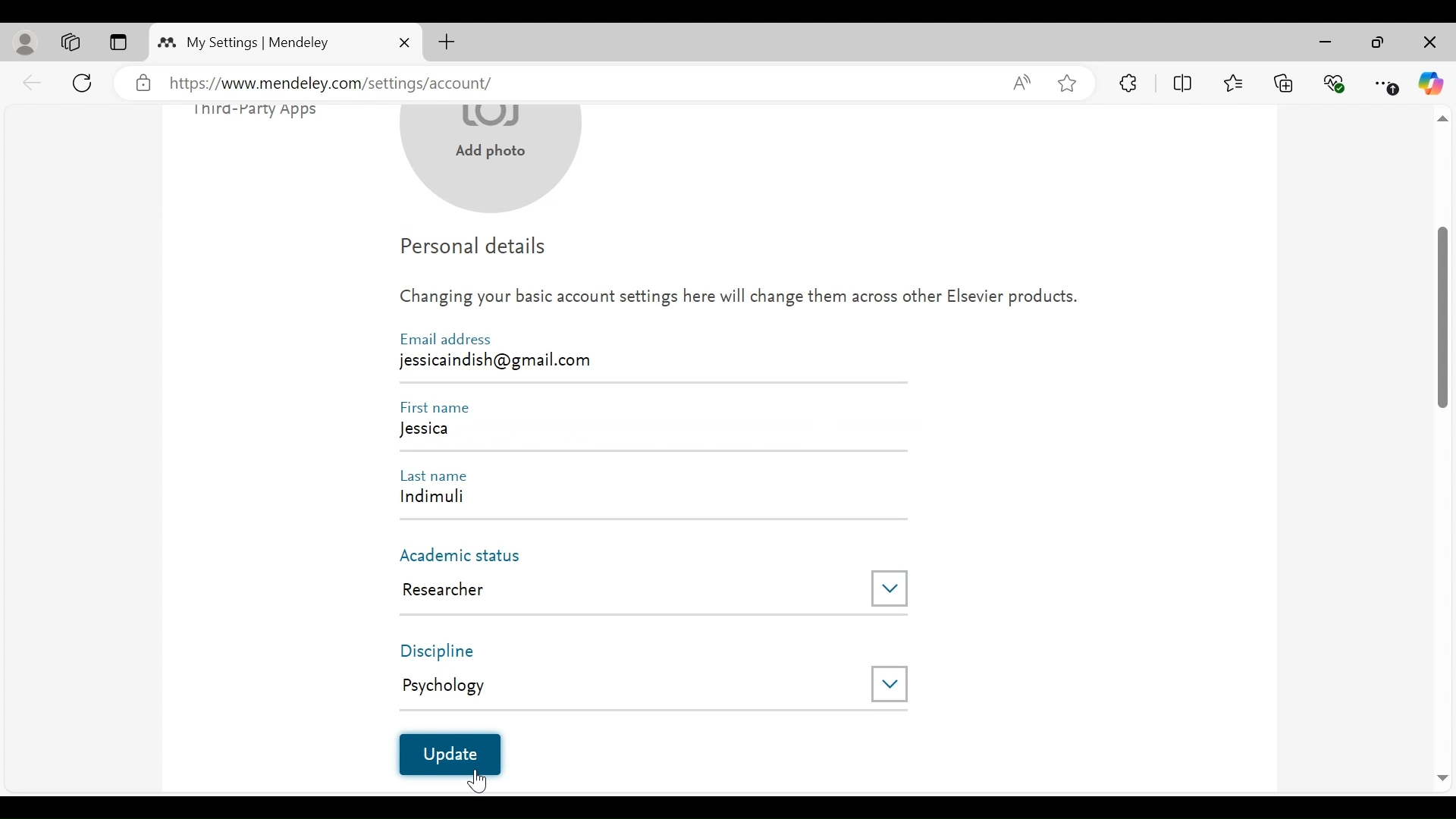 This screenshot has height=819, width=1456. What do you see at coordinates (1021, 82) in the screenshot?
I see `Read aloud this page` at bounding box center [1021, 82].